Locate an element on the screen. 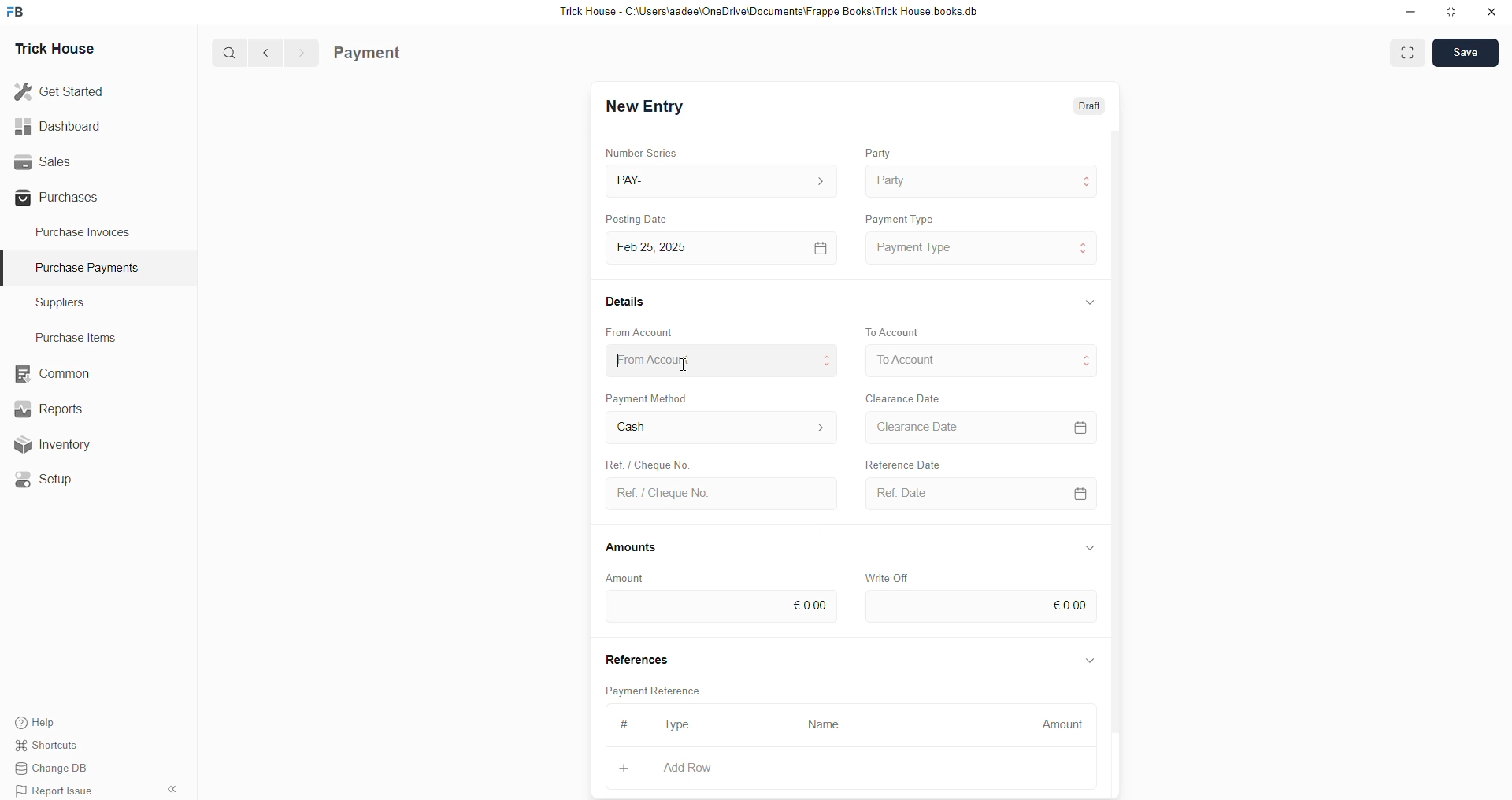 Image resolution: width=1512 pixels, height=800 pixels. FB is located at coordinates (18, 10).